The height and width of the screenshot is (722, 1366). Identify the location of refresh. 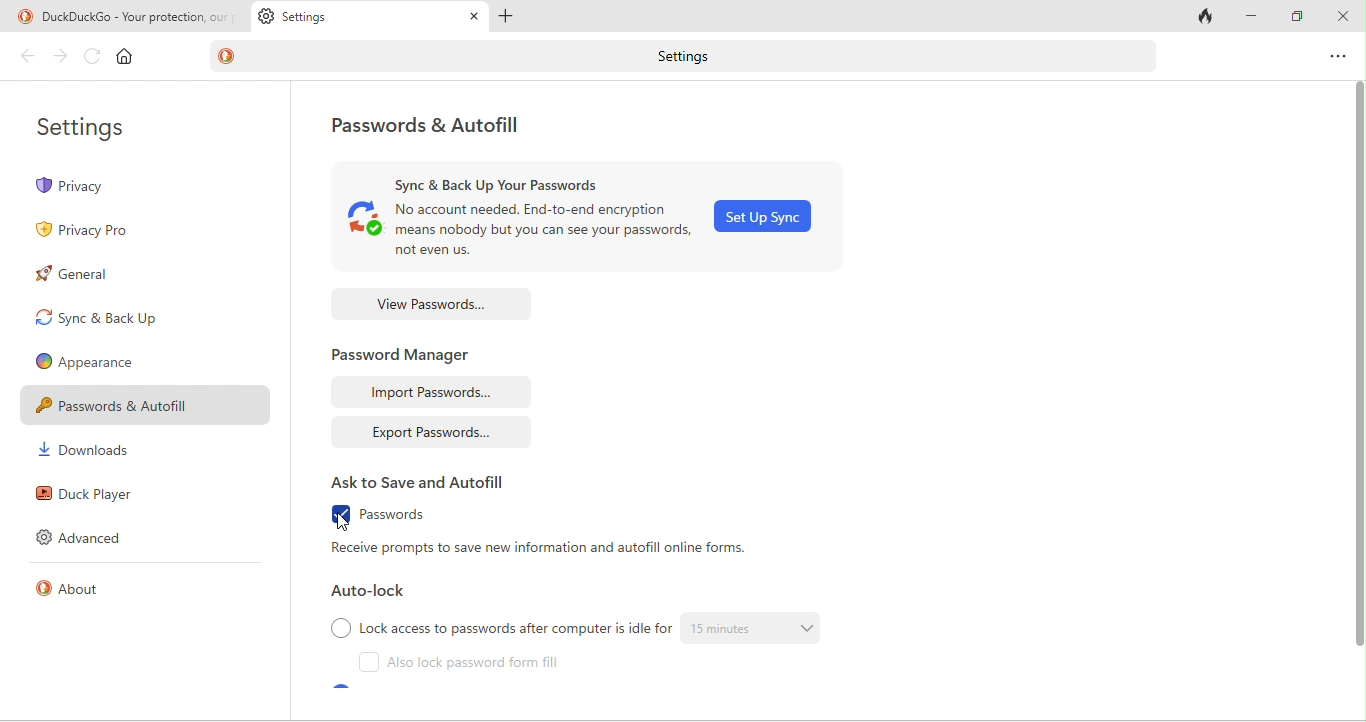
(93, 56).